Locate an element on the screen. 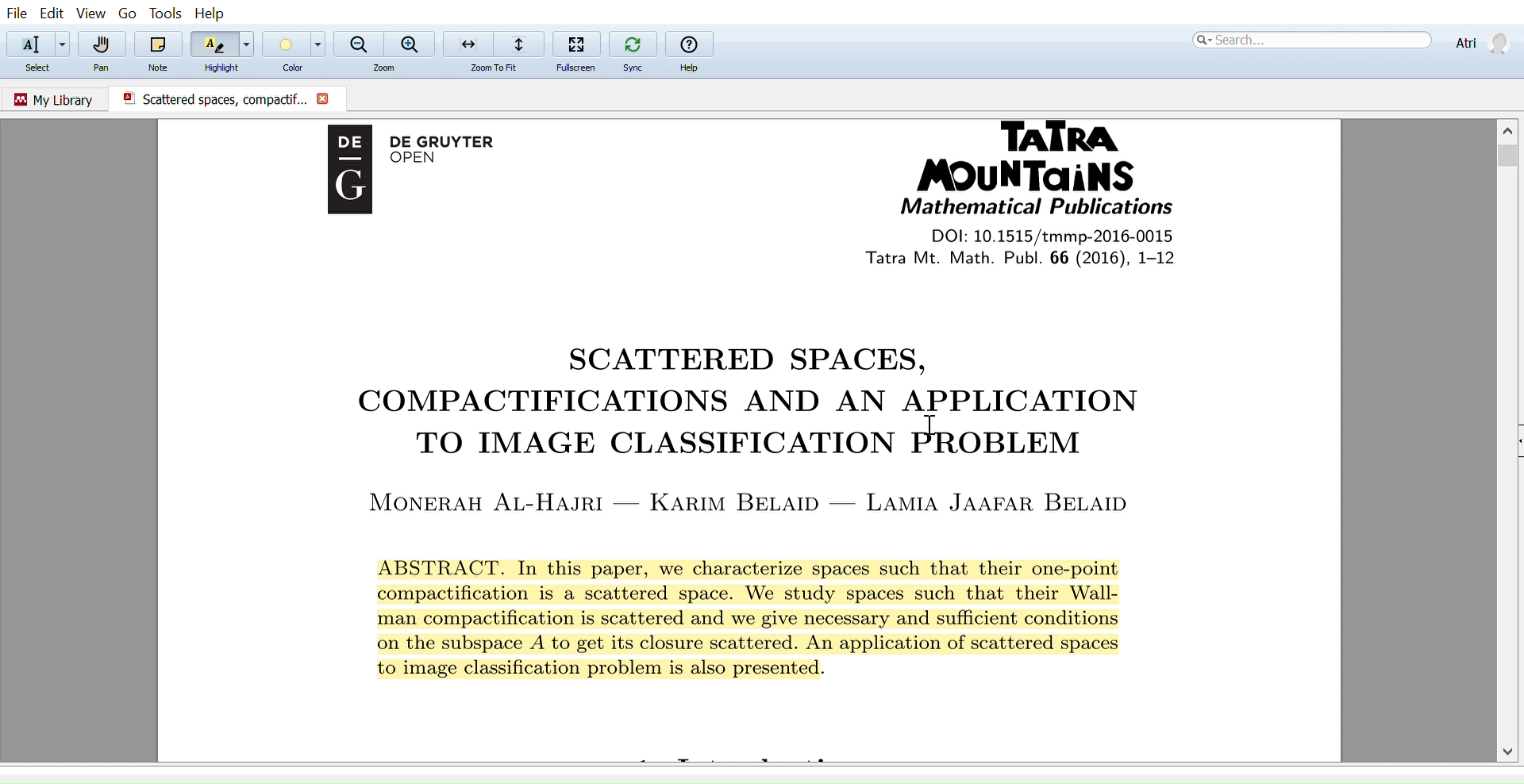  Help is located at coordinates (692, 68).